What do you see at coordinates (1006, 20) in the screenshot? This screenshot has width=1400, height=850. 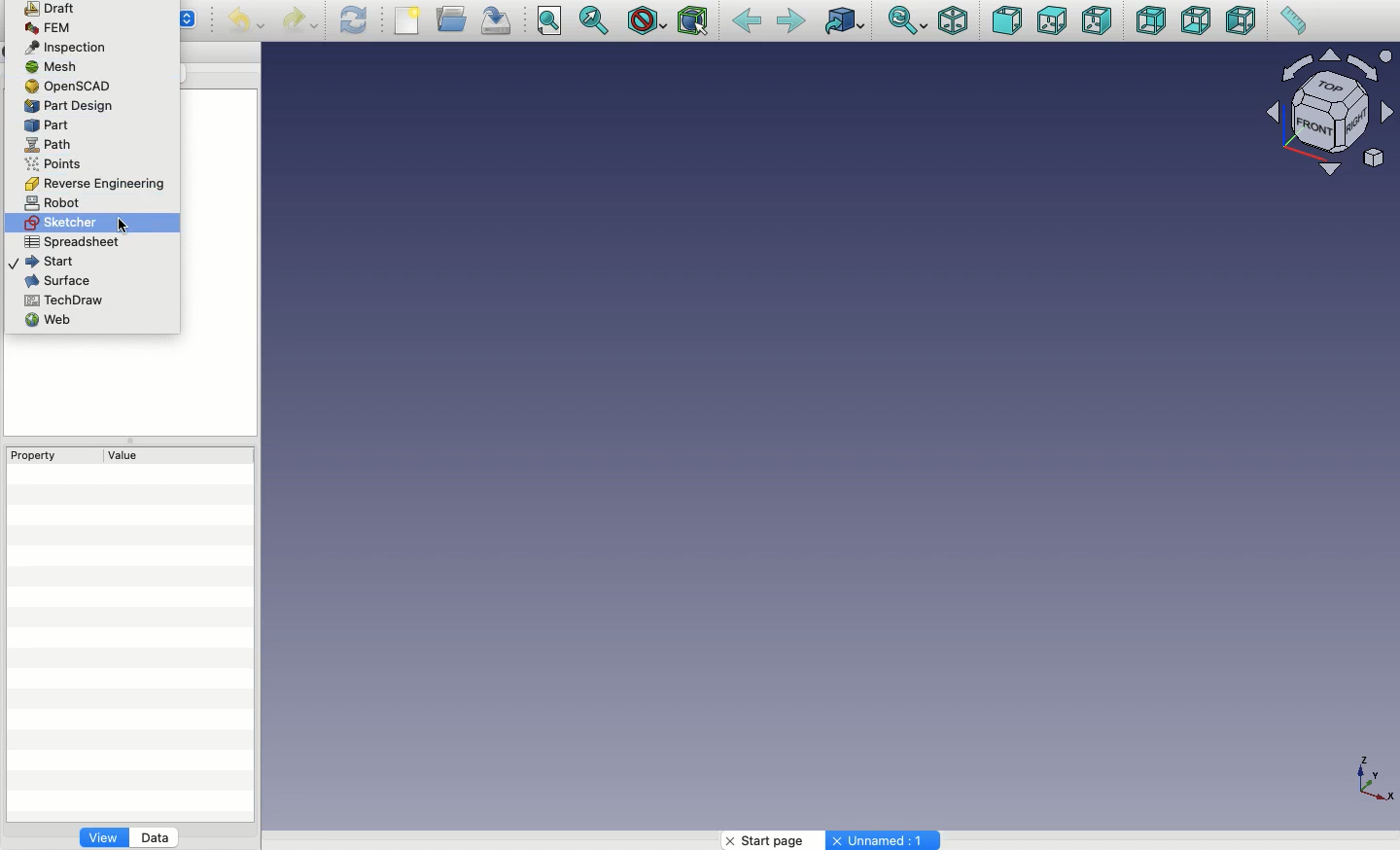 I see `Front` at bounding box center [1006, 20].